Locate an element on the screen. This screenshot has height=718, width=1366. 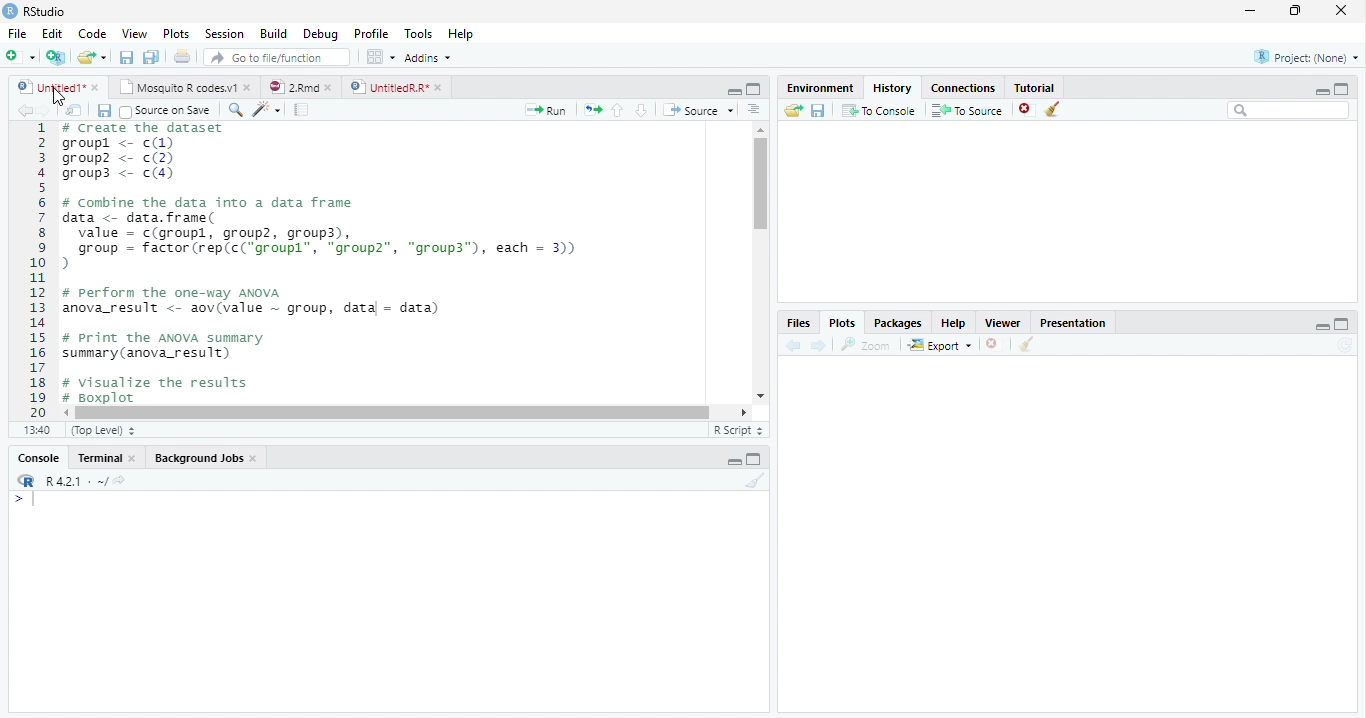
Edit is located at coordinates (51, 33).